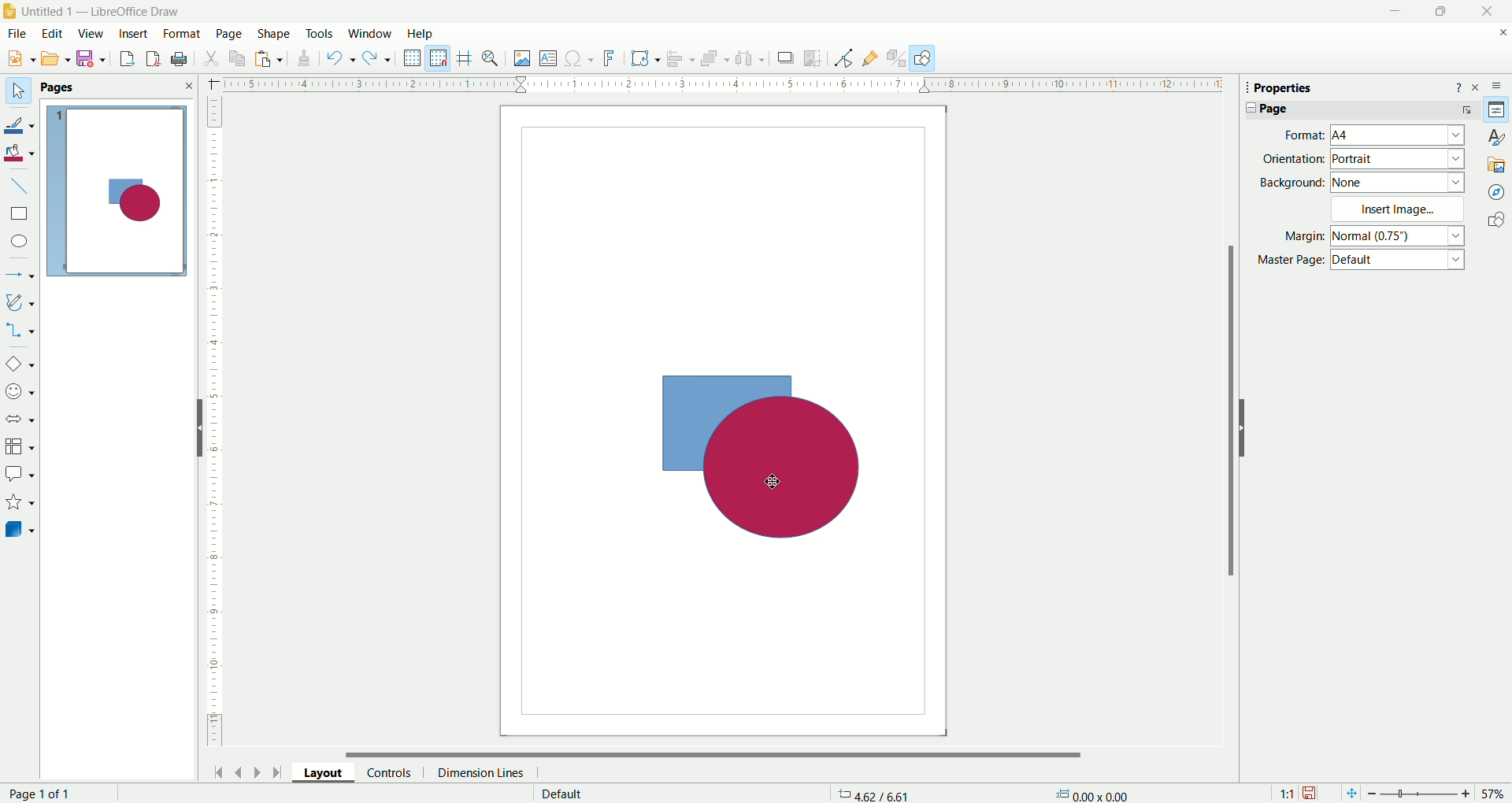 The width and height of the screenshot is (1512, 803). What do you see at coordinates (94, 60) in the screenshot?
I see `save` at bounding box center [94, 60].